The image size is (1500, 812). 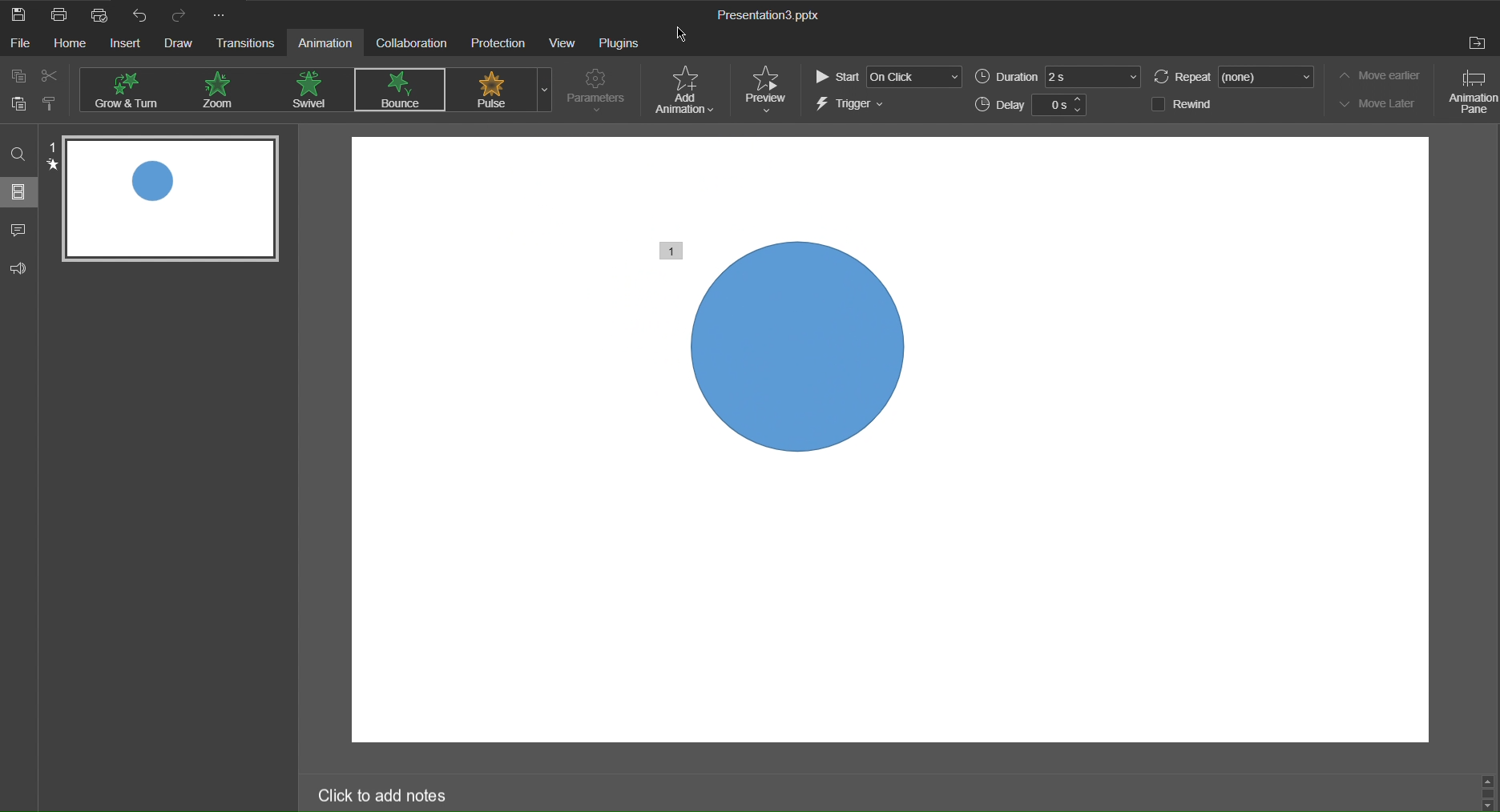 I want to click on Increase or decrease time, so click(x=1079, y=106).